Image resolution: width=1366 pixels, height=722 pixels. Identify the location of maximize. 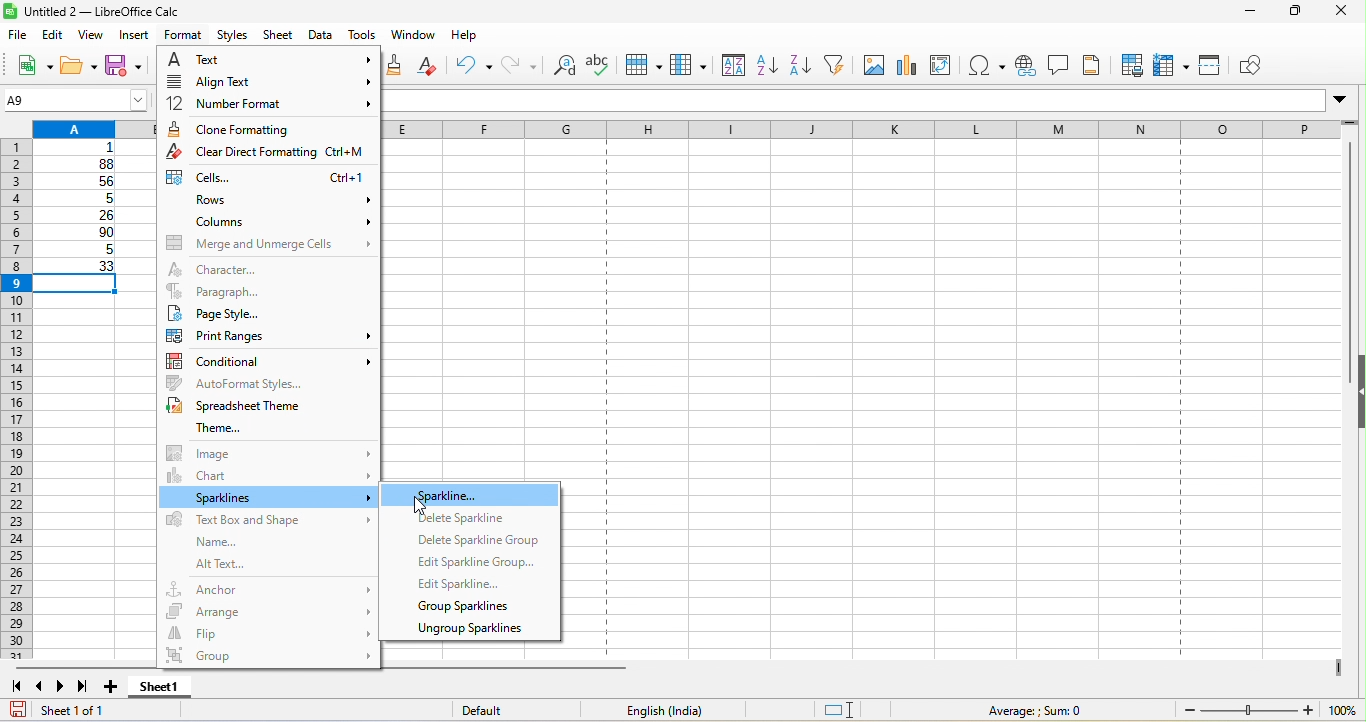
(1288, 13).